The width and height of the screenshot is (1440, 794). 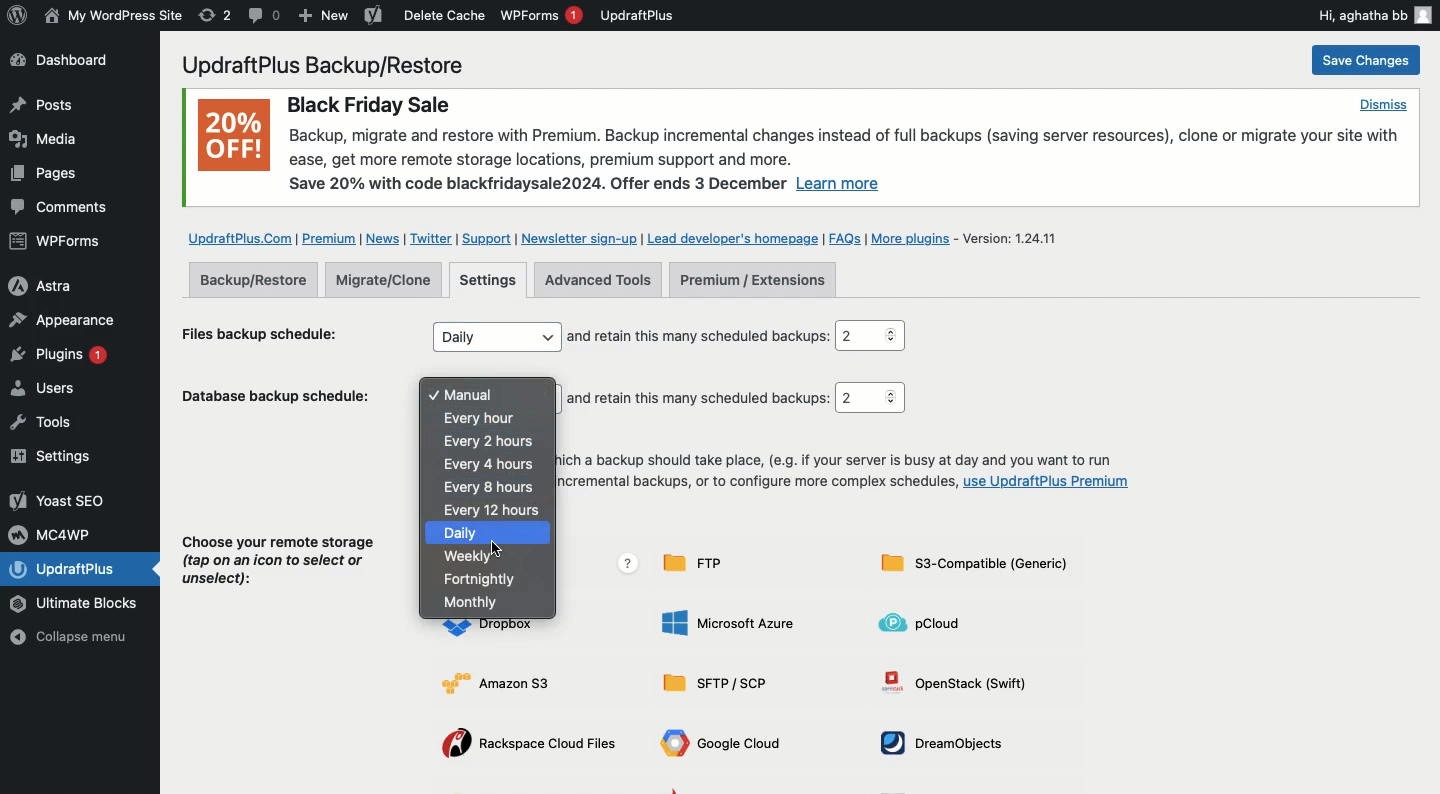 I want to click on Save change, so click(x=1364, y=61).